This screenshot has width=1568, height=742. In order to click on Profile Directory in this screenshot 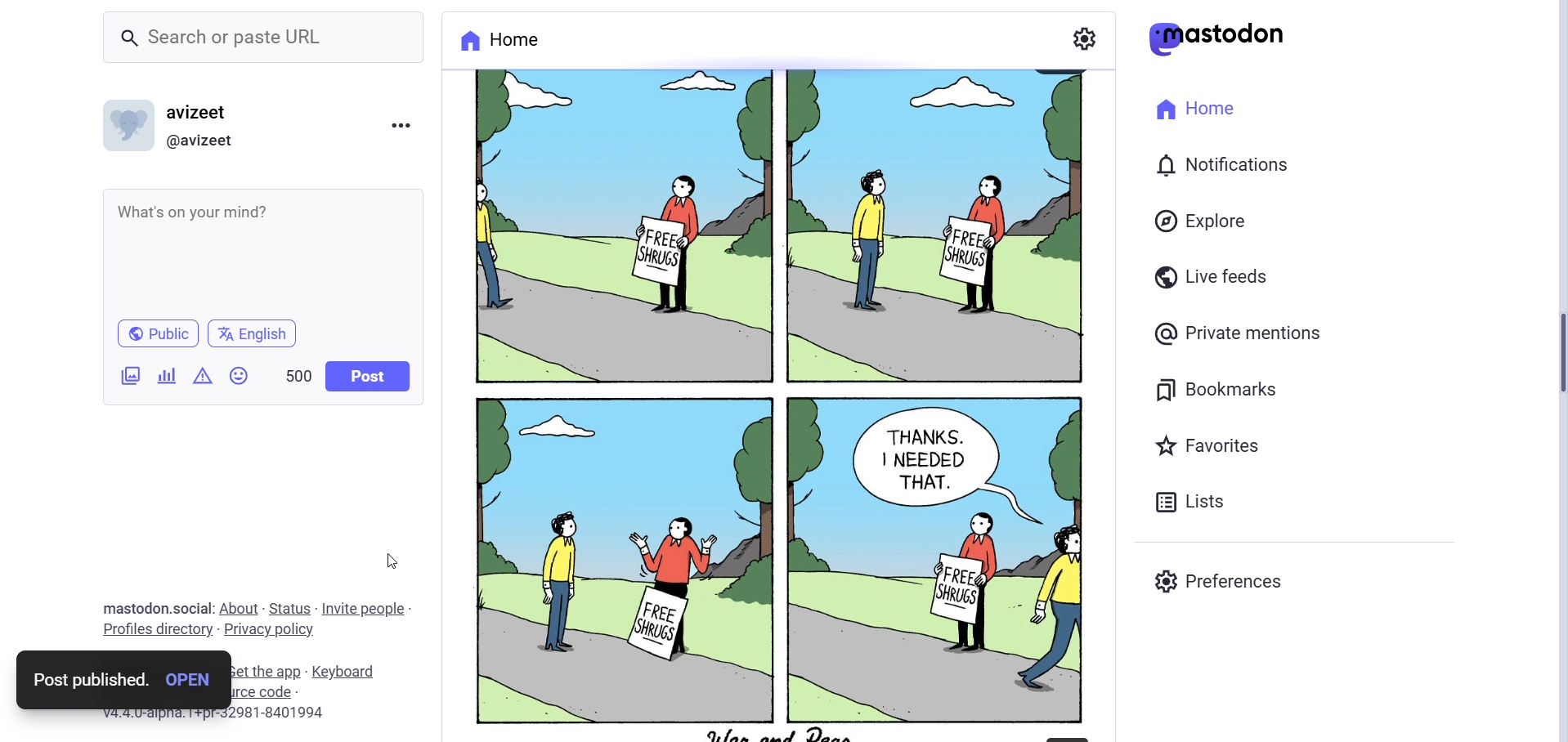, I will do `click(155, 628)`.